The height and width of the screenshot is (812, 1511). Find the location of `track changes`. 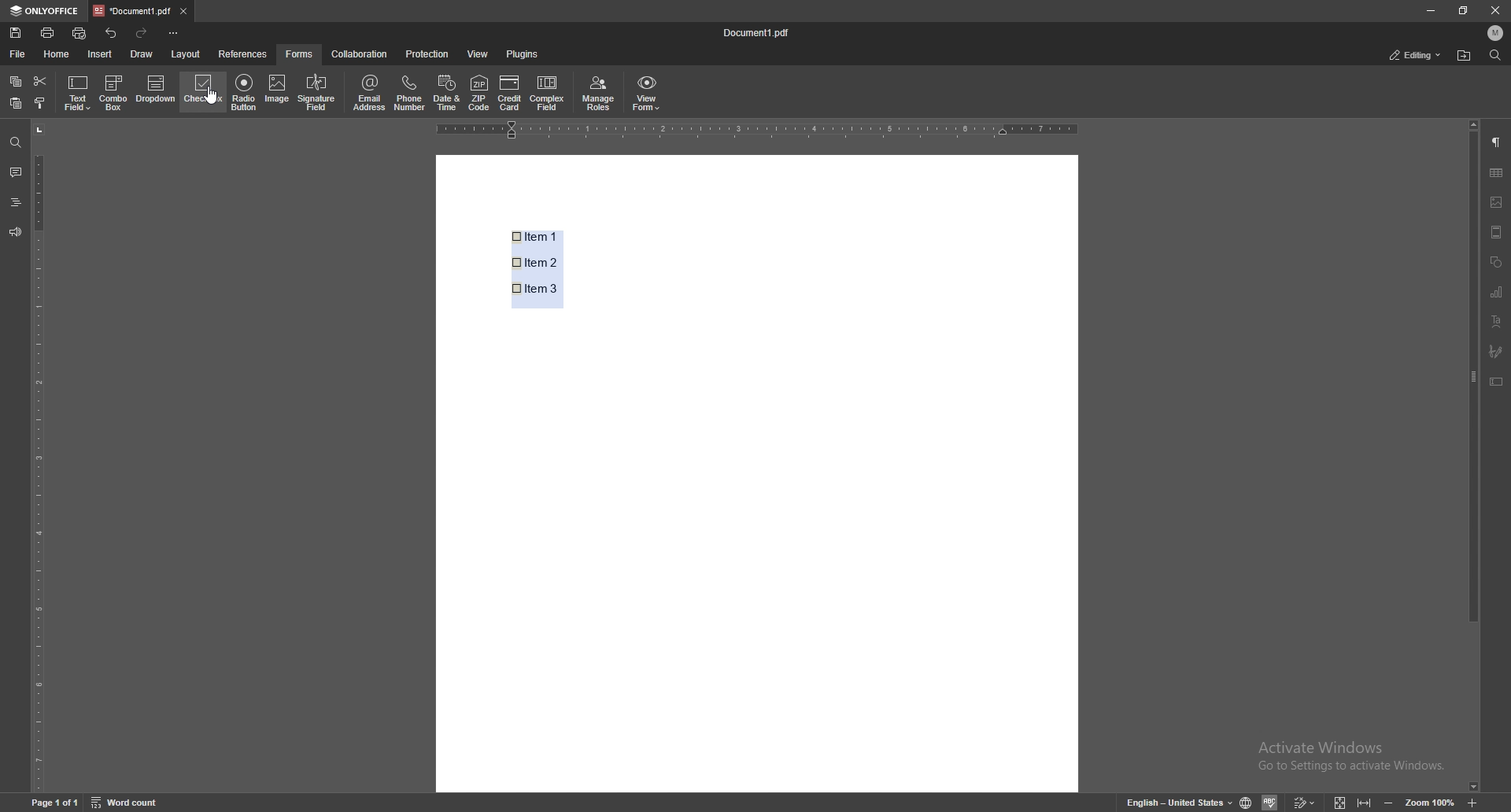

track changes is located at coordinates (1304, 801).